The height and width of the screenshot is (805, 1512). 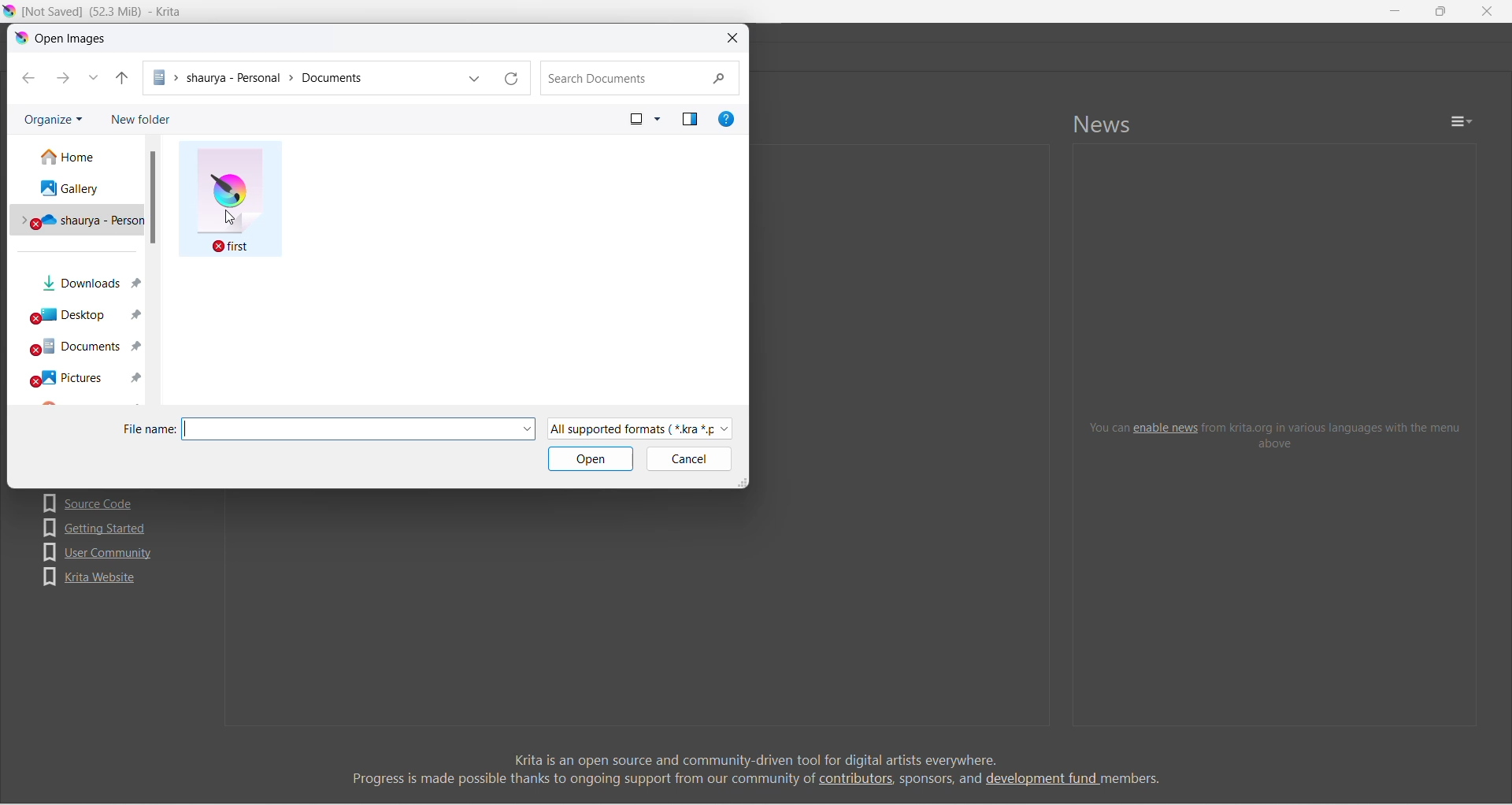 I want to click on file name dropdown button, so click(x=527, y=429).